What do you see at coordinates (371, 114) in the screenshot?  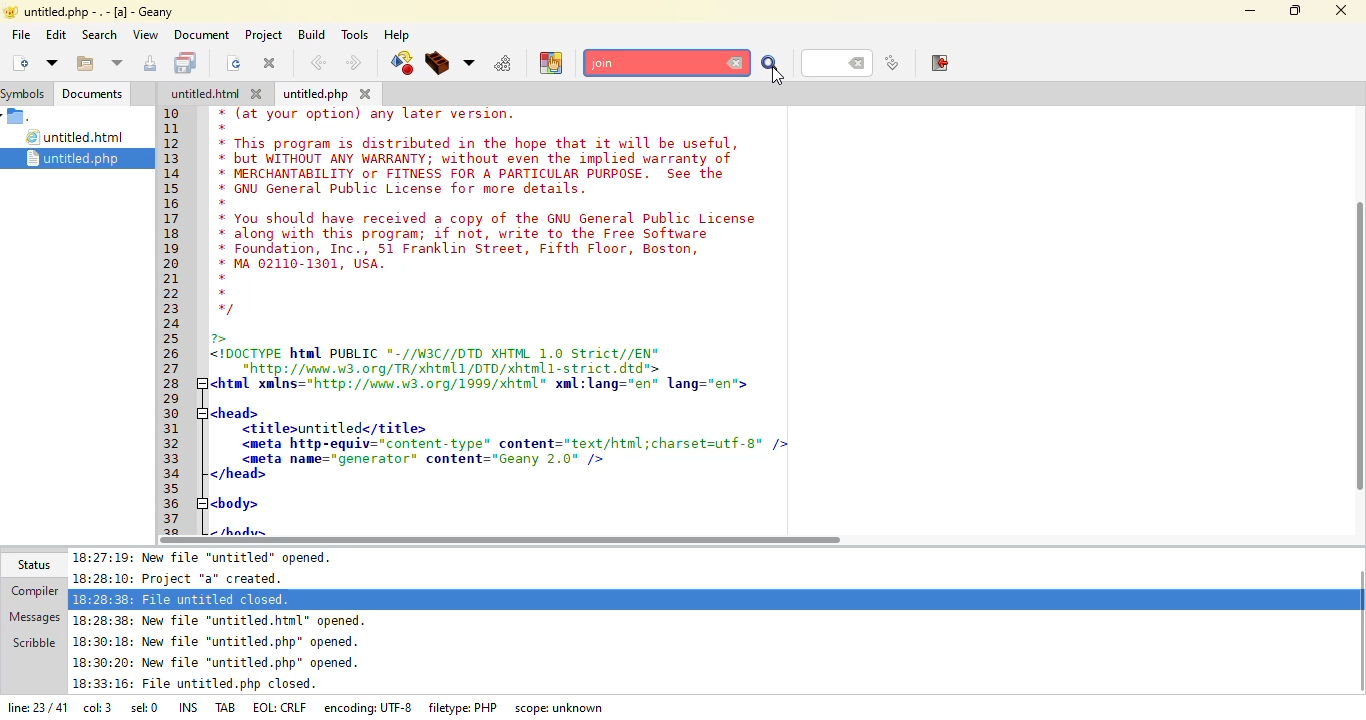 I see `* (at your option) any later version.` at bounding box center [371, 114].